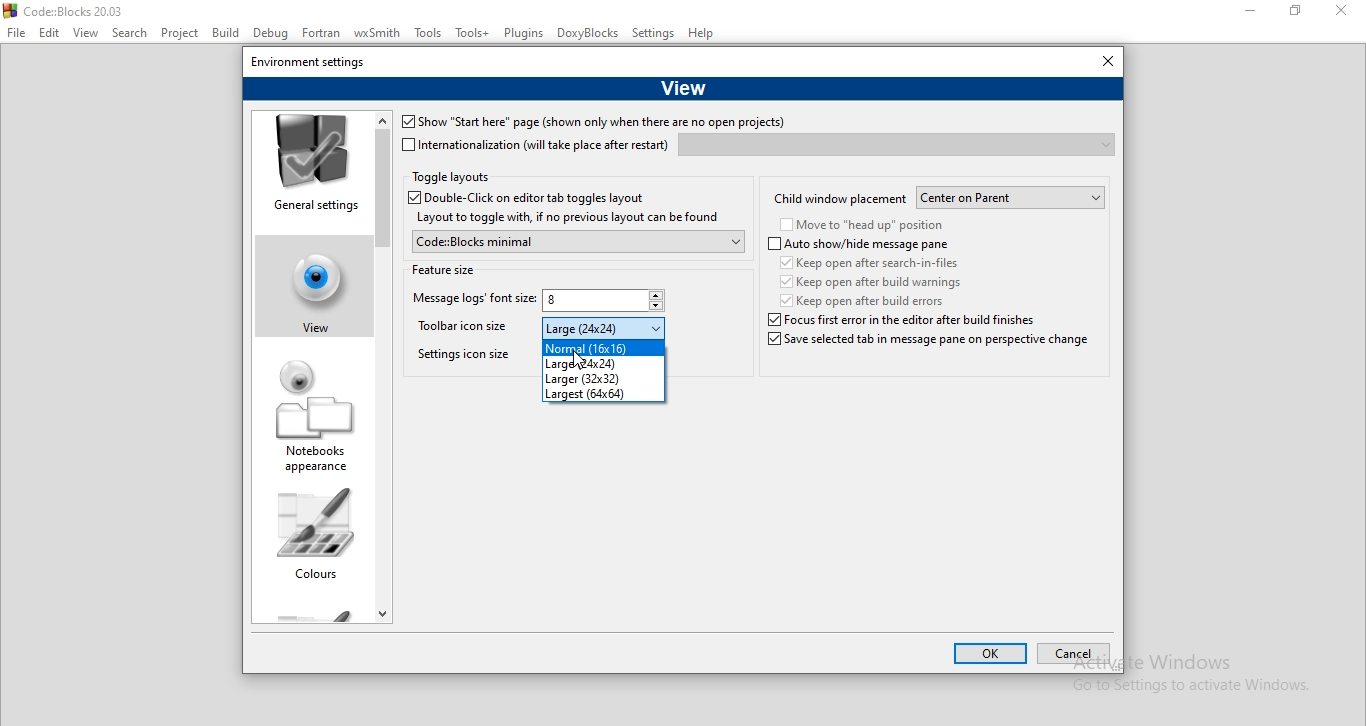 The width and height of the screenshot is (1366, 726). I want to click on 8, so click(605, 302).